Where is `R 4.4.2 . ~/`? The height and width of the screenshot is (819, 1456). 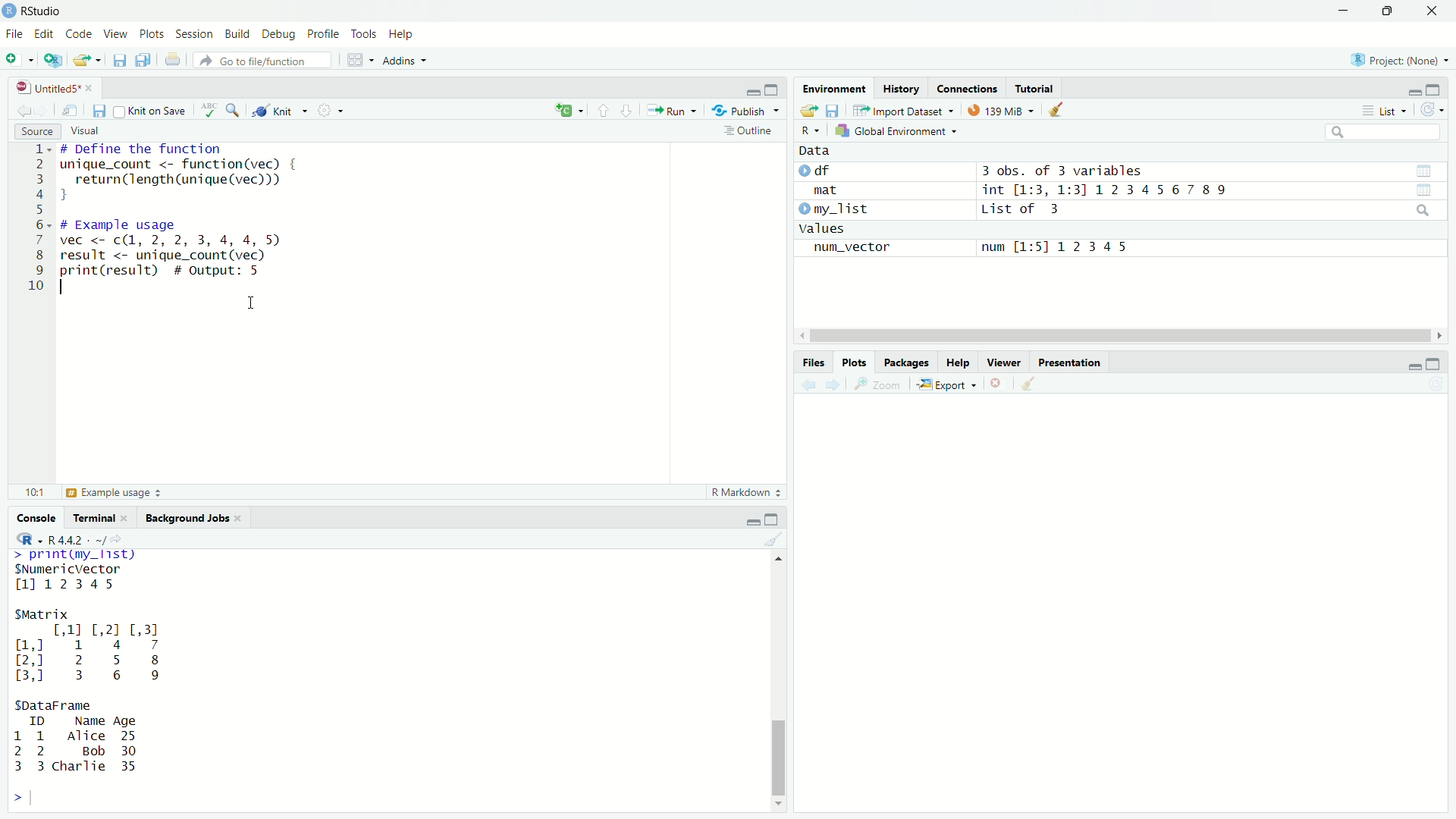
R 4.4.2 . ~/ is located at coordinates (80, 539).